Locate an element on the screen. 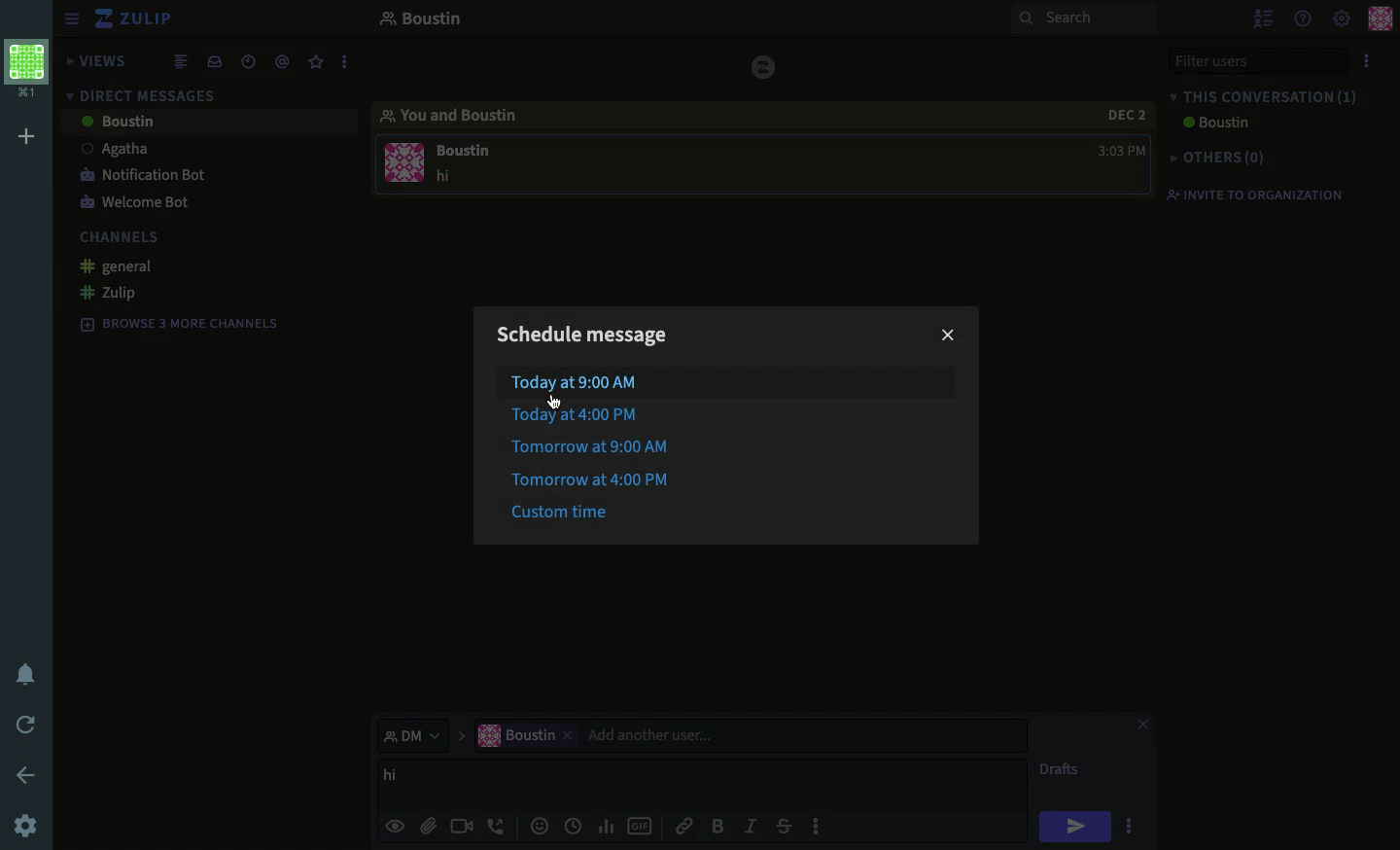 The height and width of the screenshot is (850, 1400). today at 4 is located at coordinates (580, 414).